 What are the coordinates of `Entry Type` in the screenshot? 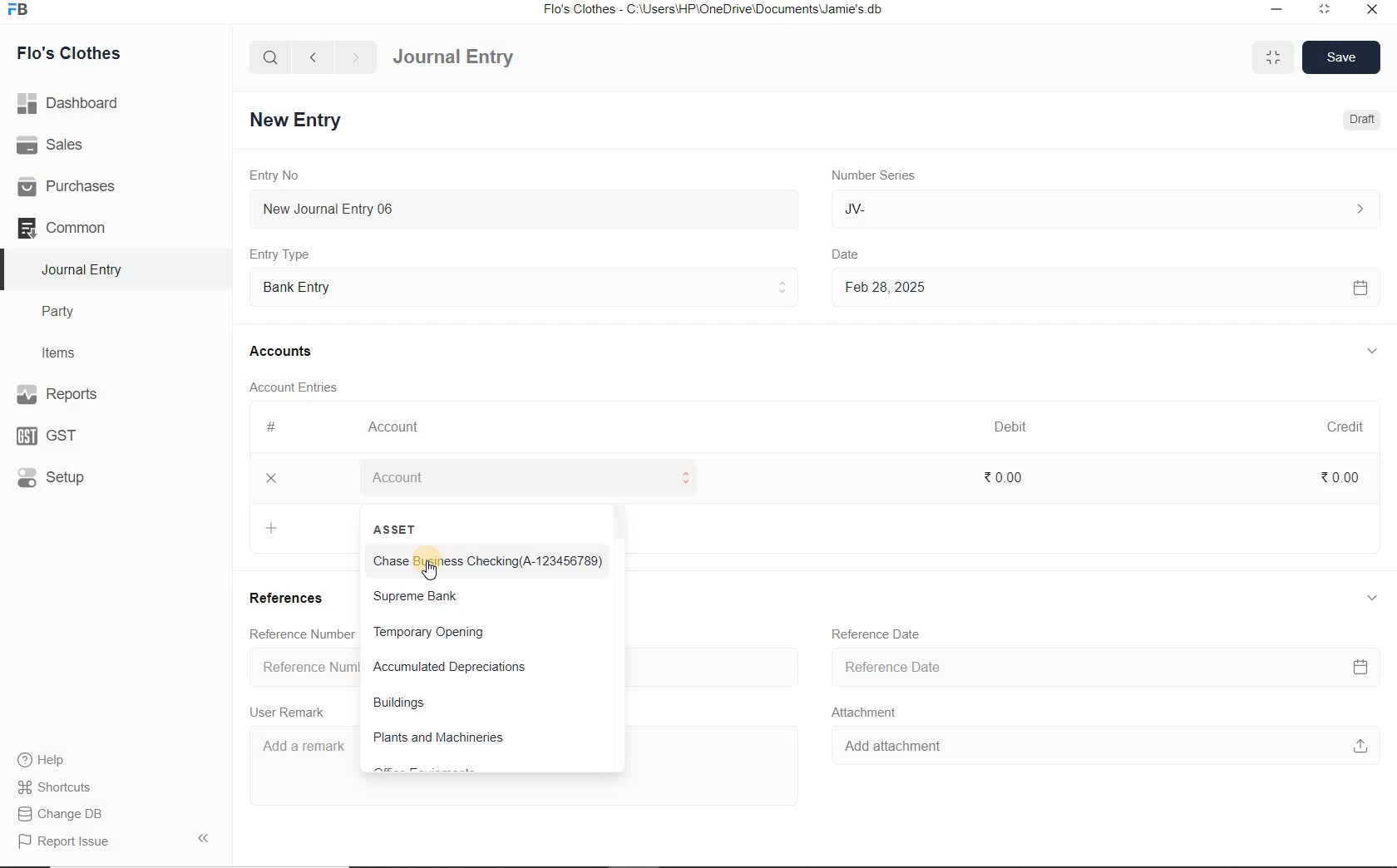 It's located at (285, 254).